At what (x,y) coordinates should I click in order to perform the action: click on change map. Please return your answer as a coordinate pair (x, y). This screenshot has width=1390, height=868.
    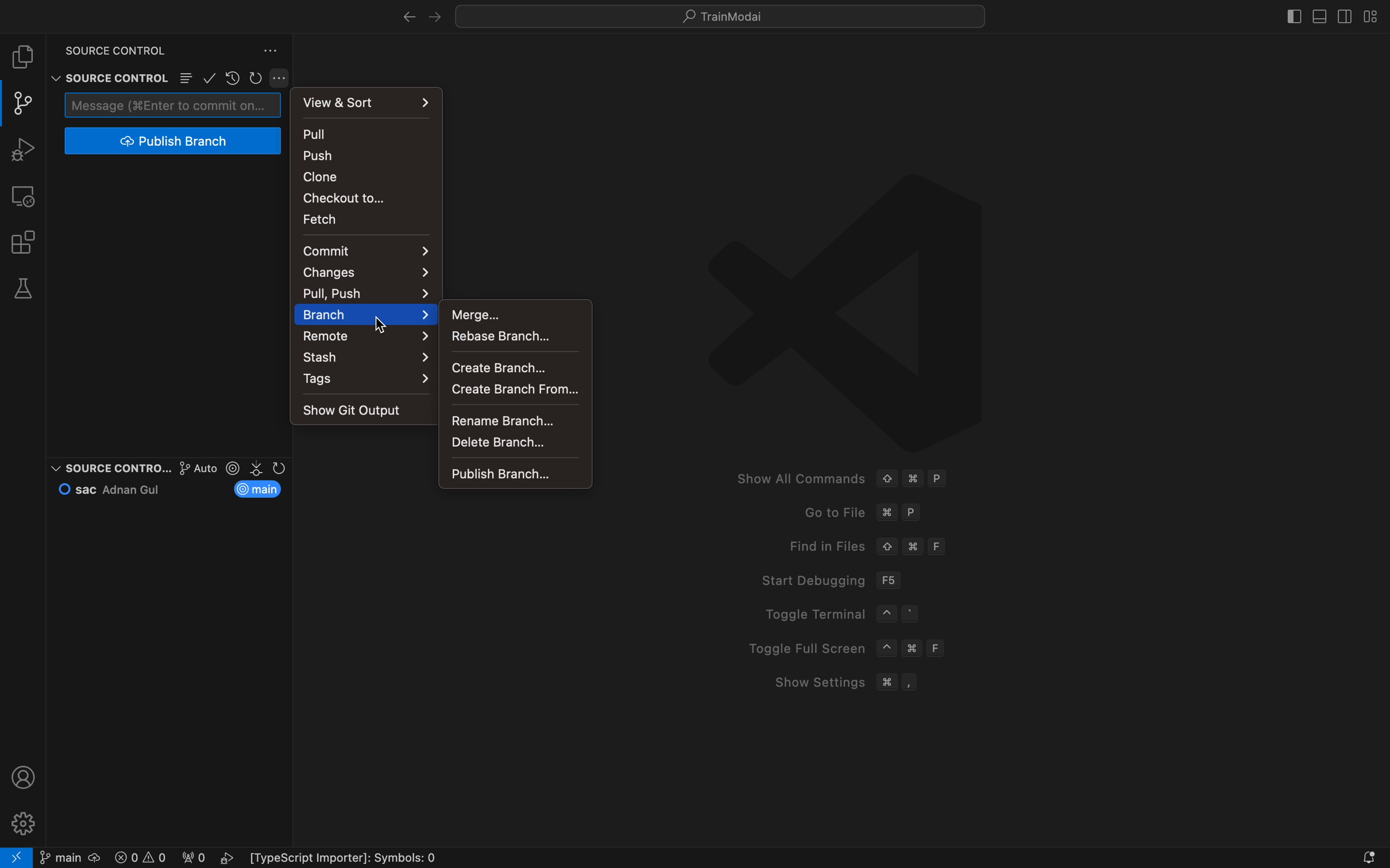
    Looking at the image, I should click on (368, 273).